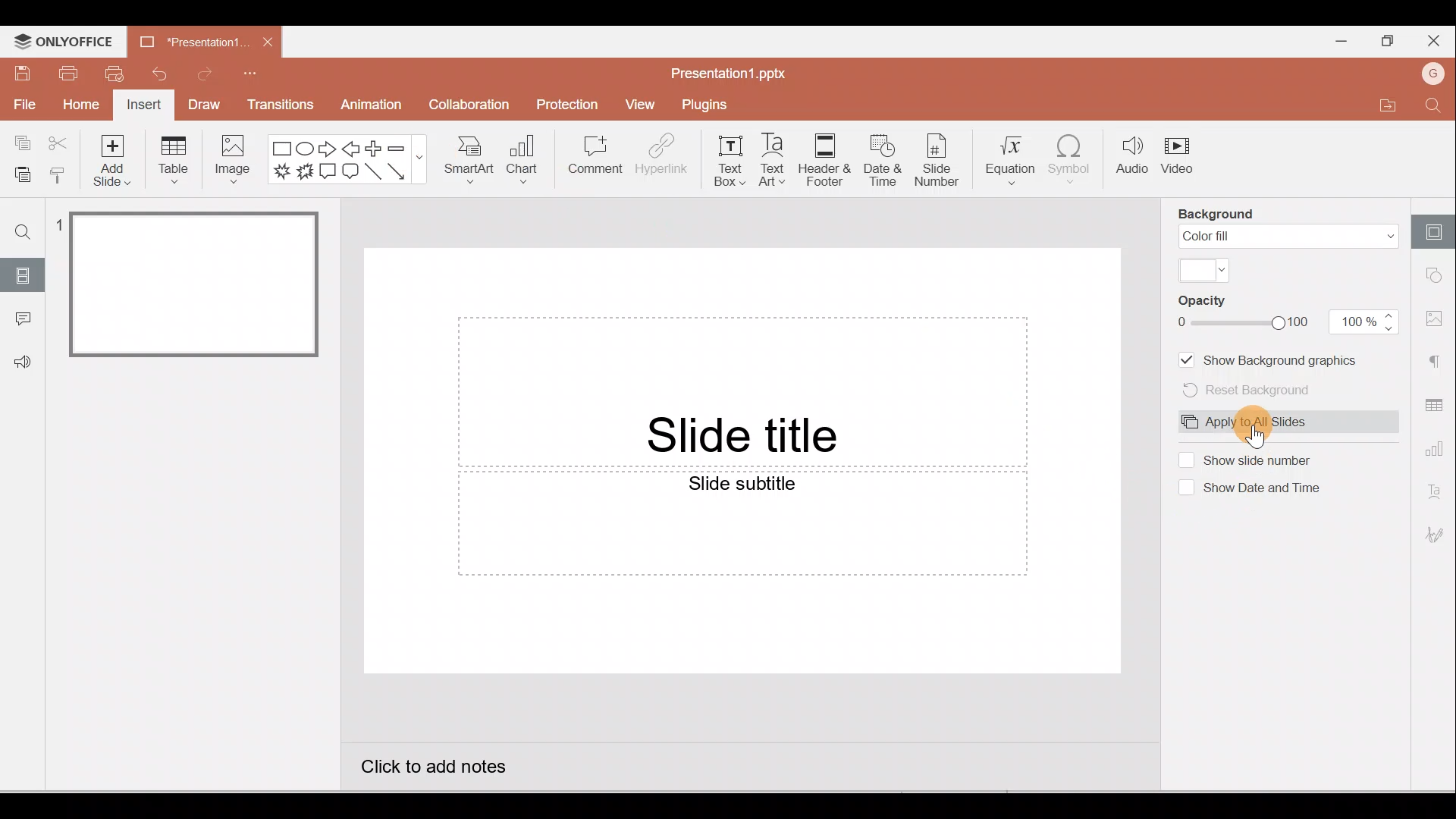  Describe the element at coordinates (443, 772) in the screenshot. I see `Click to add notes` at that location.